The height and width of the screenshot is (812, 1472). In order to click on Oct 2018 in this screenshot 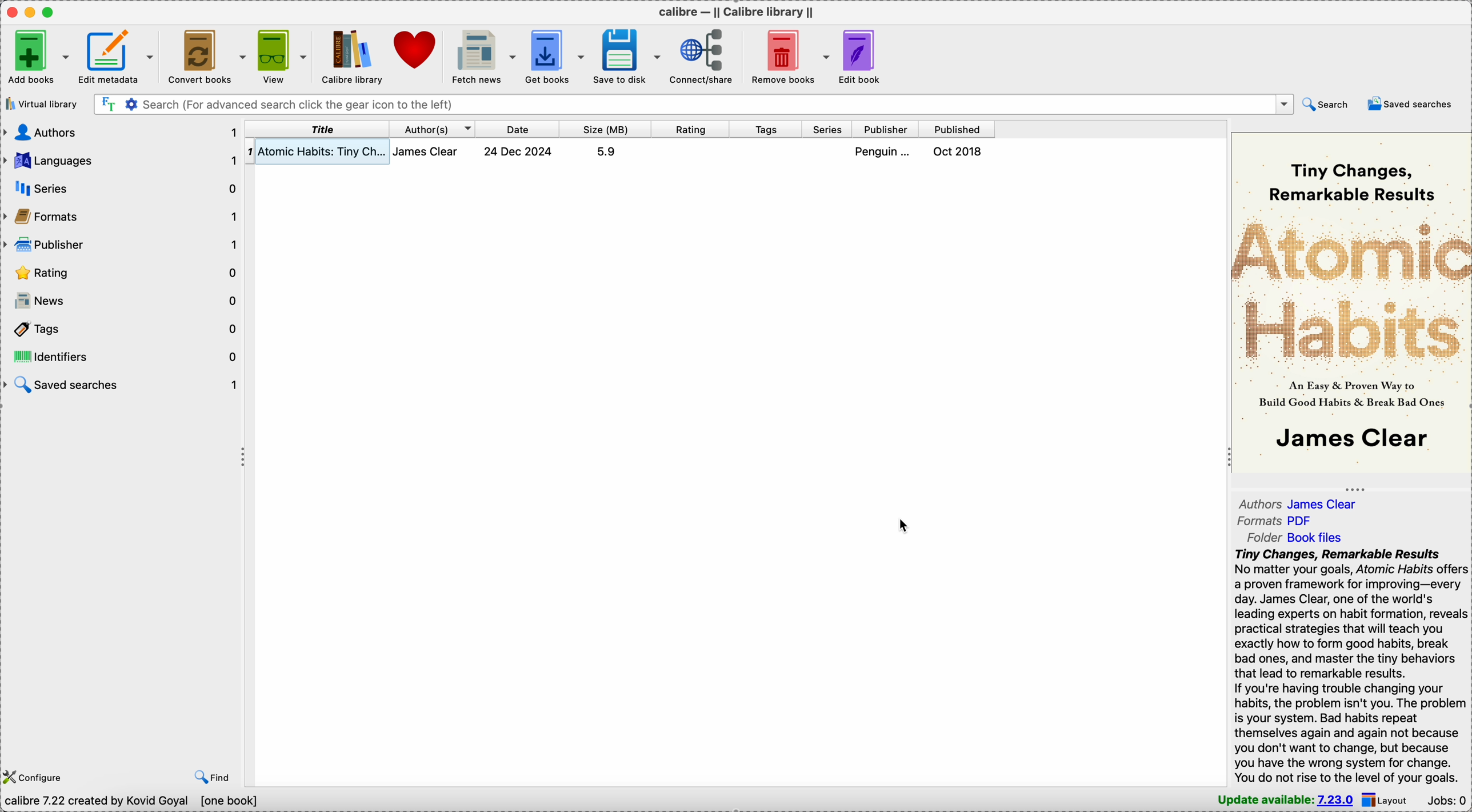, I will do `click(959, 151)`.